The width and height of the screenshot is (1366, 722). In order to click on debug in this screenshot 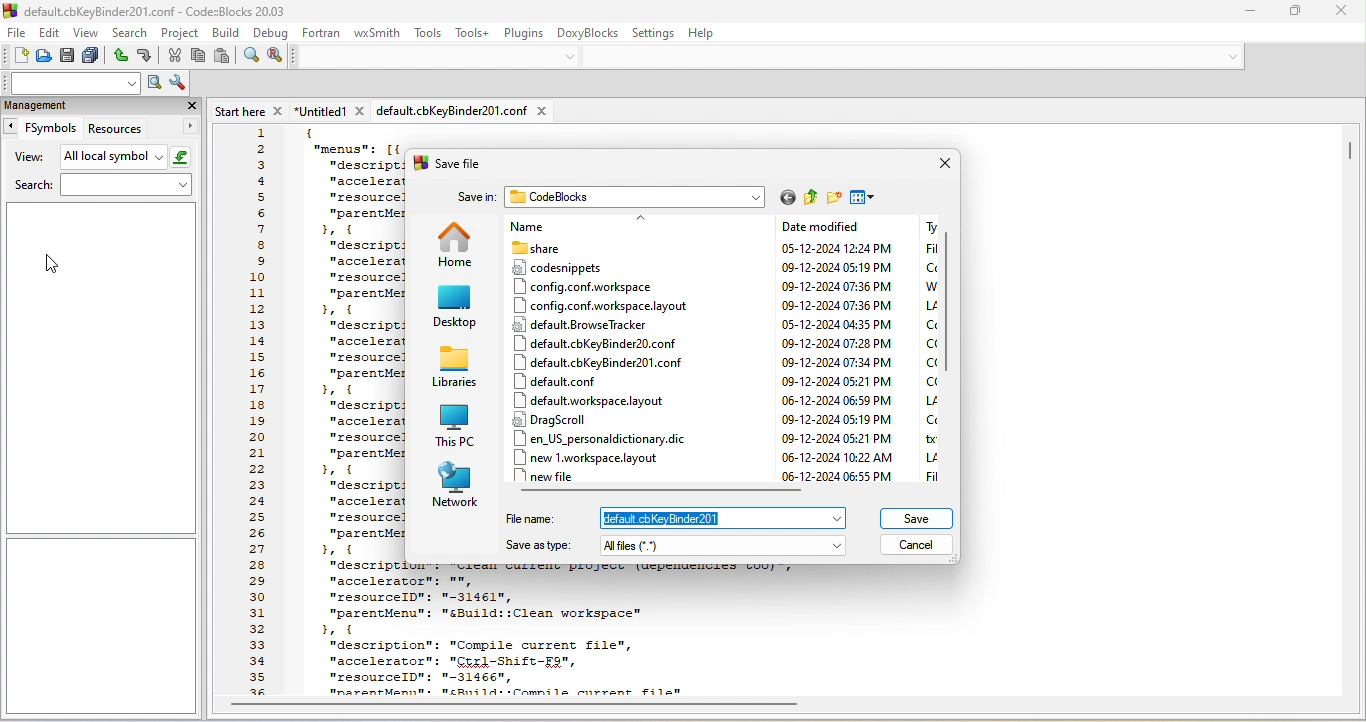, I will do `click(272, 34)`.